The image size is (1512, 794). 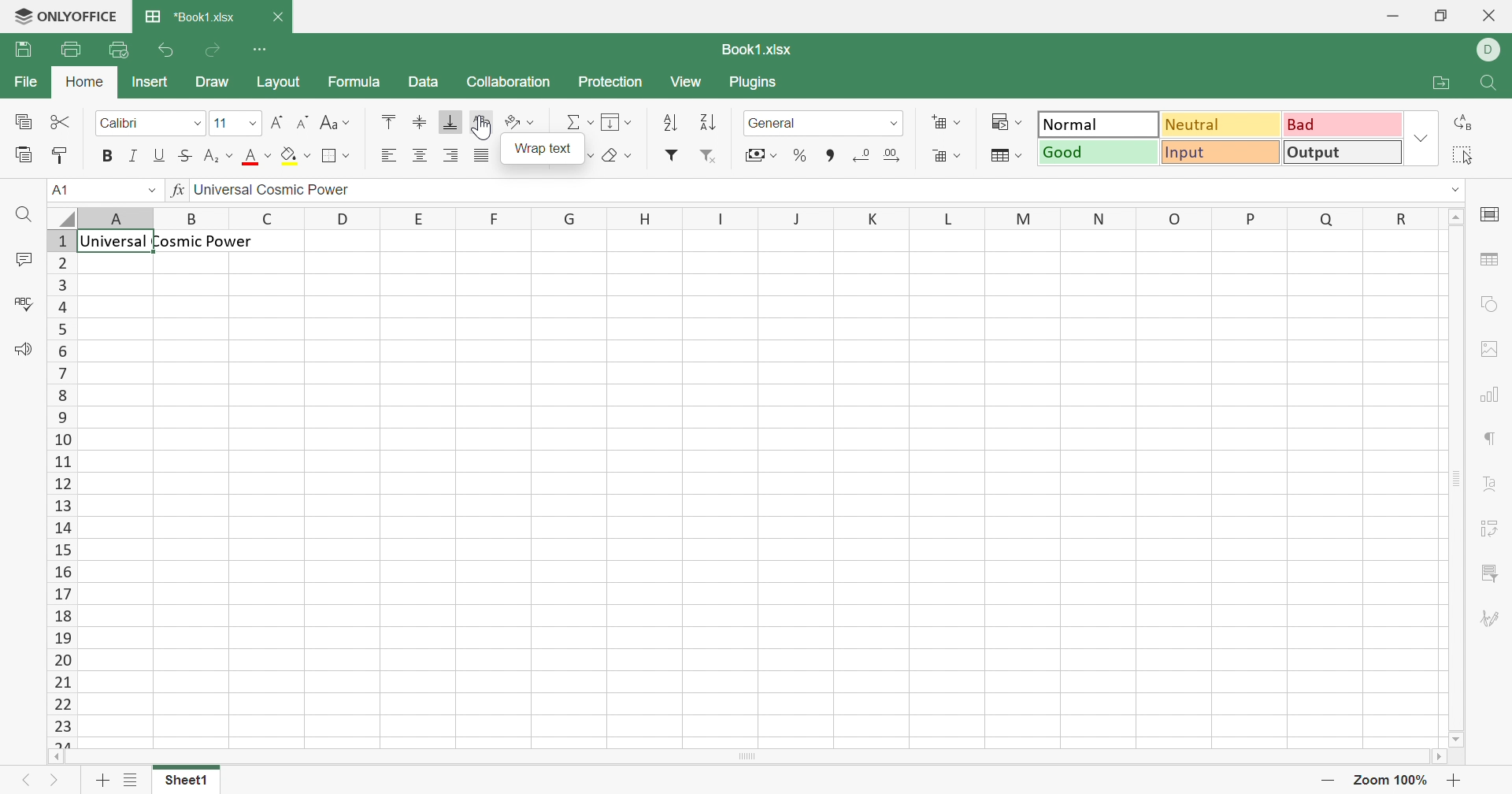 I want to click on Restore down , so click(x=1440, y=16).